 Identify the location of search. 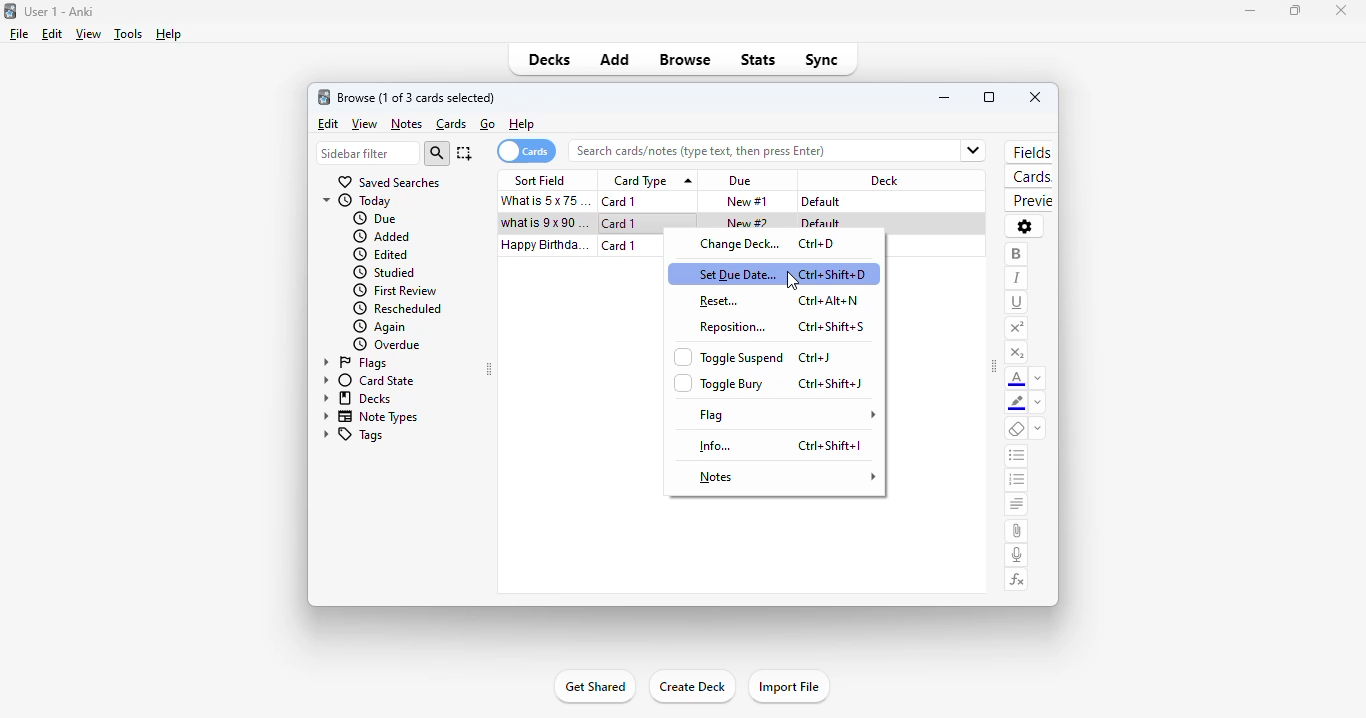
(437, 153).